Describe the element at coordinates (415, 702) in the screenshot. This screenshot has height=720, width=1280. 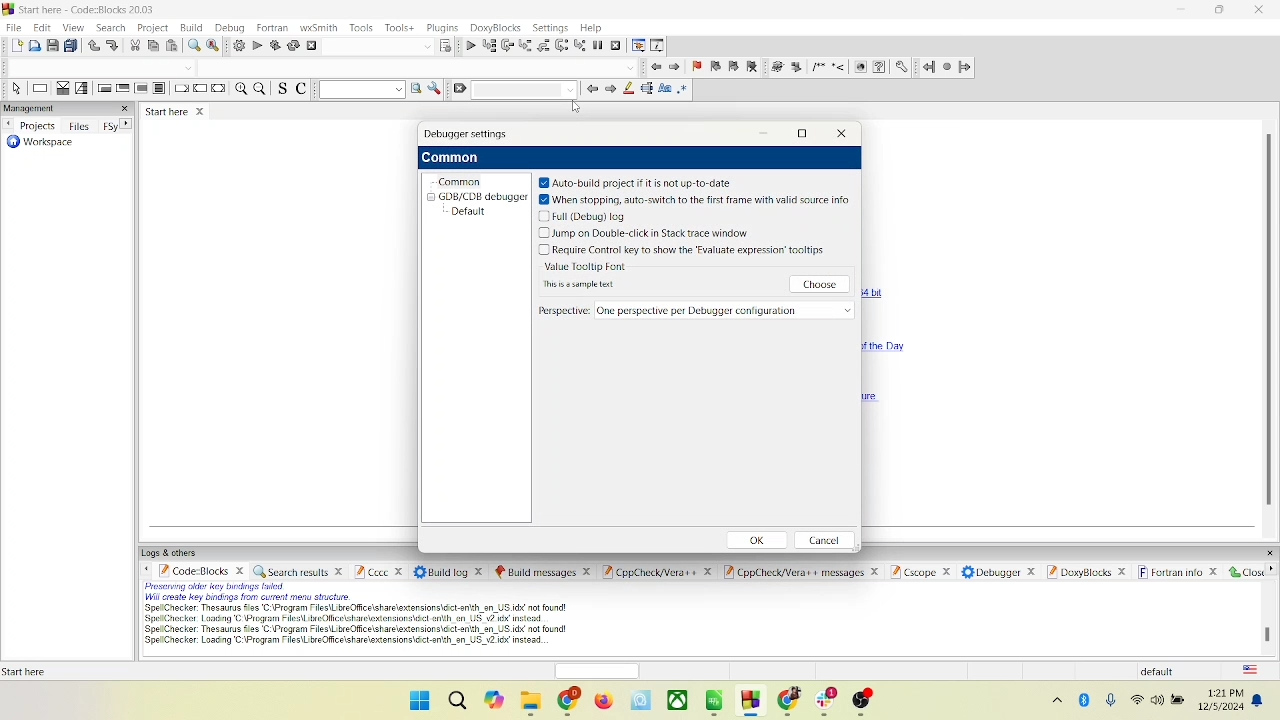
I see `window` at that location.